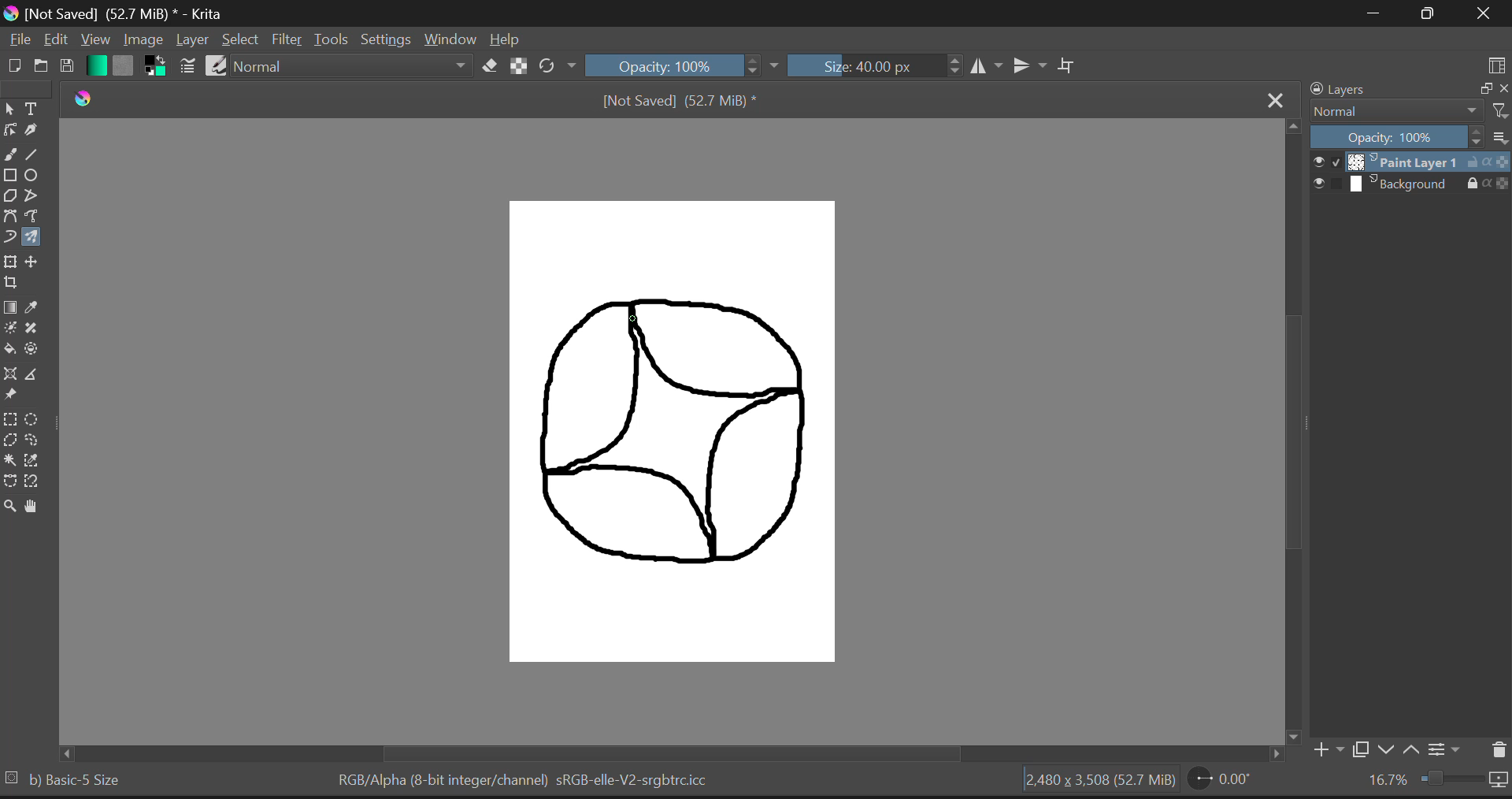  I want to click on Choose Workspace, so click(1497, 67).